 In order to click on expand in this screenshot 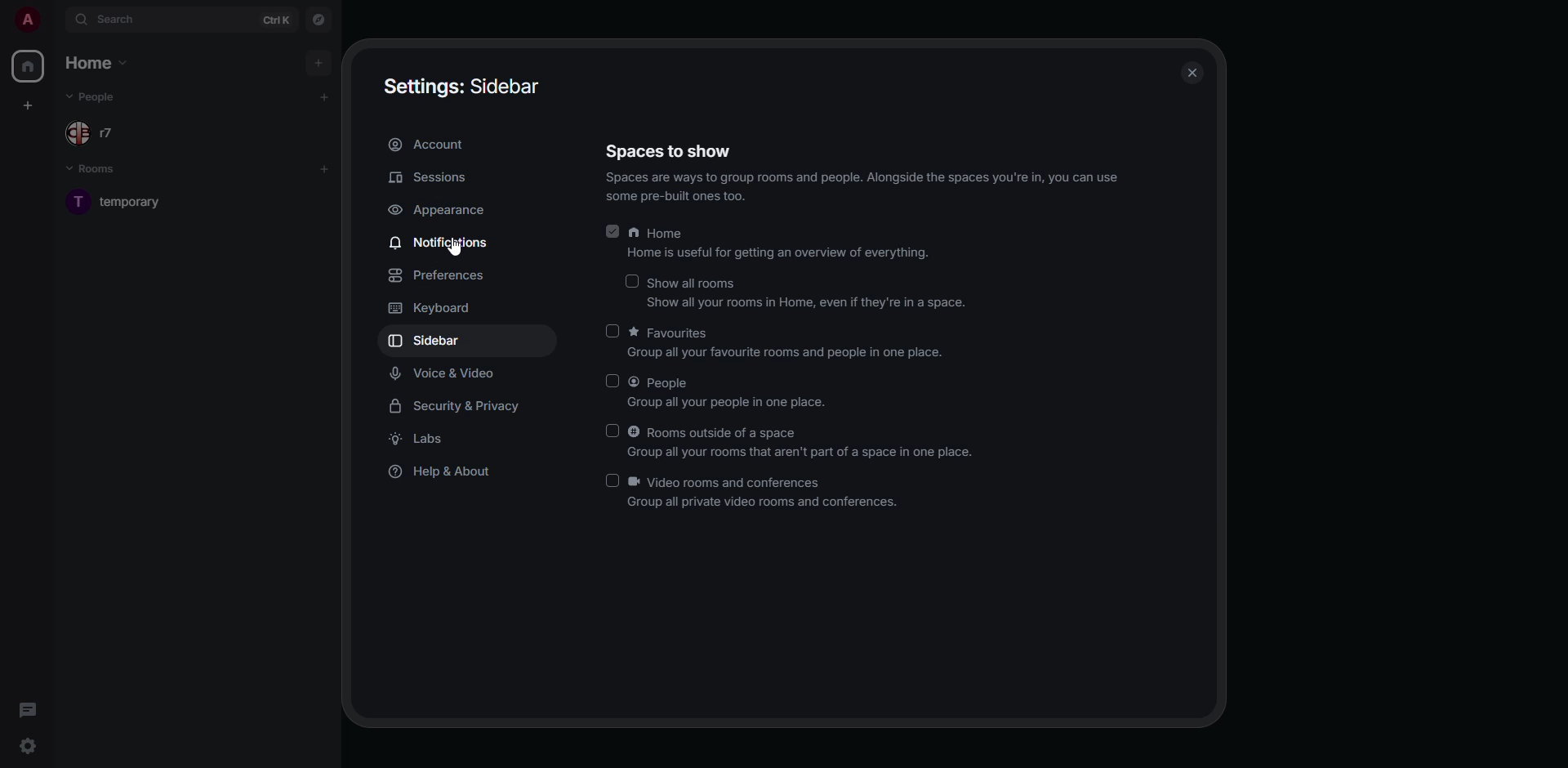, I will do `click(54, 20)`.